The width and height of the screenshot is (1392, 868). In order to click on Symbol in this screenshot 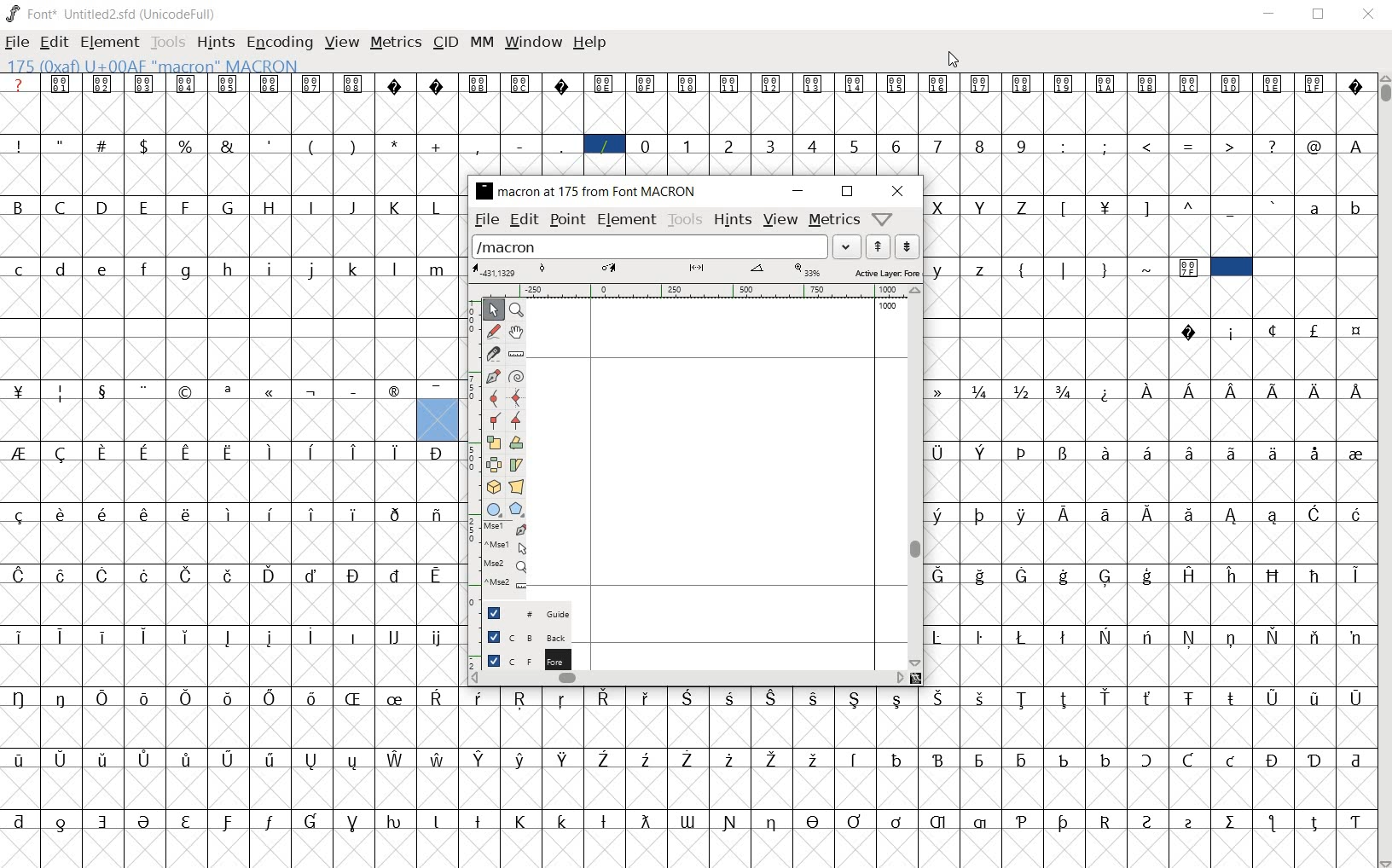, I will do `click(815, 84)`.